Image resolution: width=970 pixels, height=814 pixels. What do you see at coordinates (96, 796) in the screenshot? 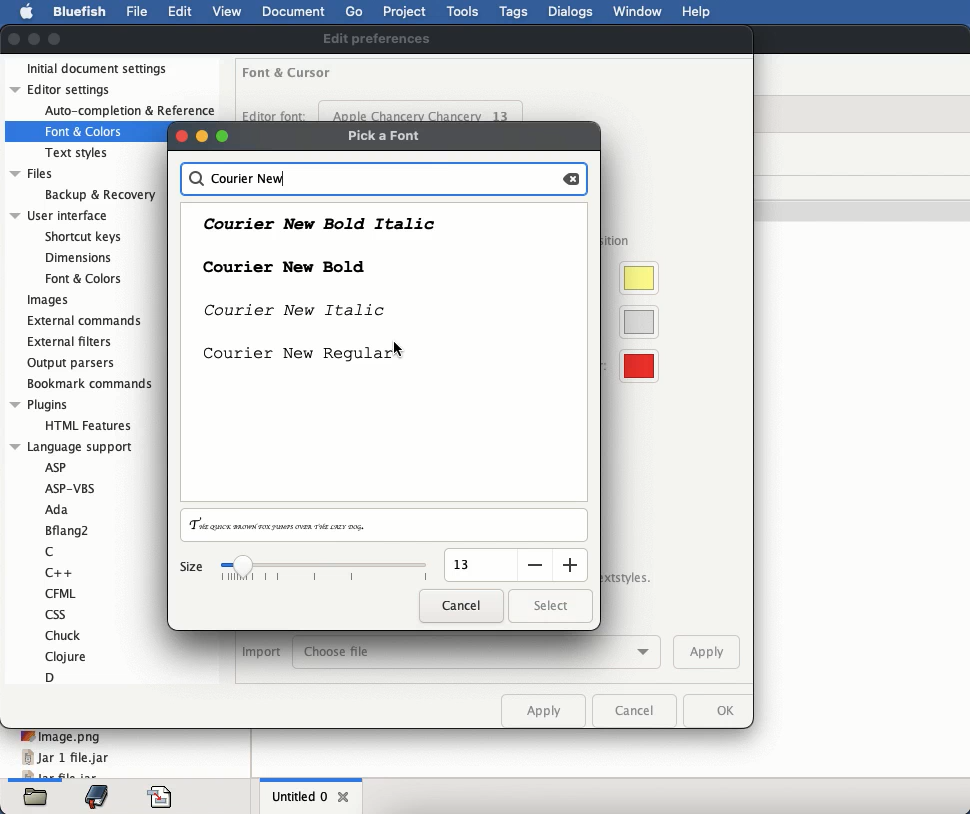
I see `bookmark` at bounding box center [96, 796].